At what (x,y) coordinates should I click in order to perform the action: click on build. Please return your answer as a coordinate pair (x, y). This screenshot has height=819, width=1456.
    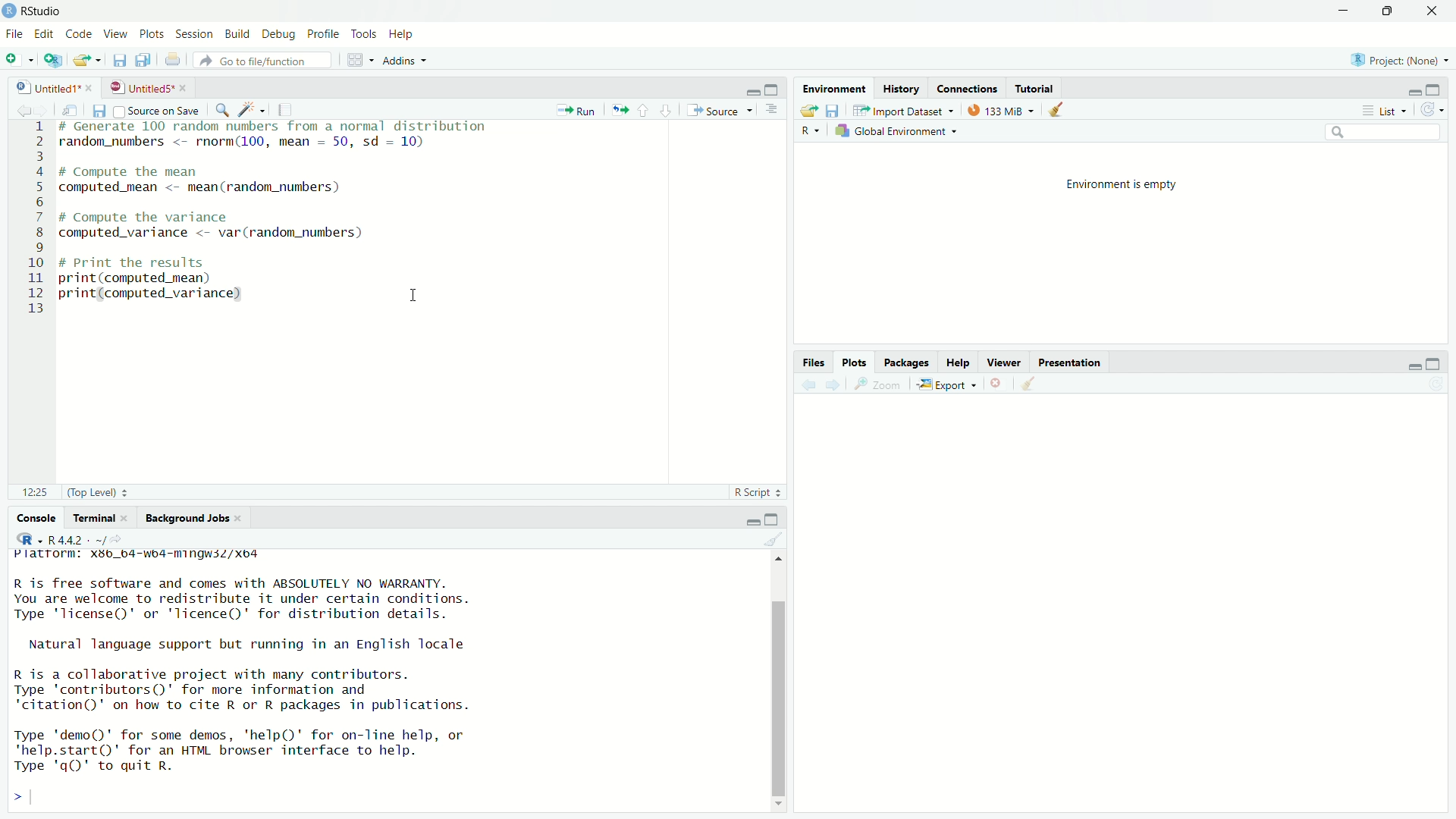
    Looking at the image, I should click on (238, 34).